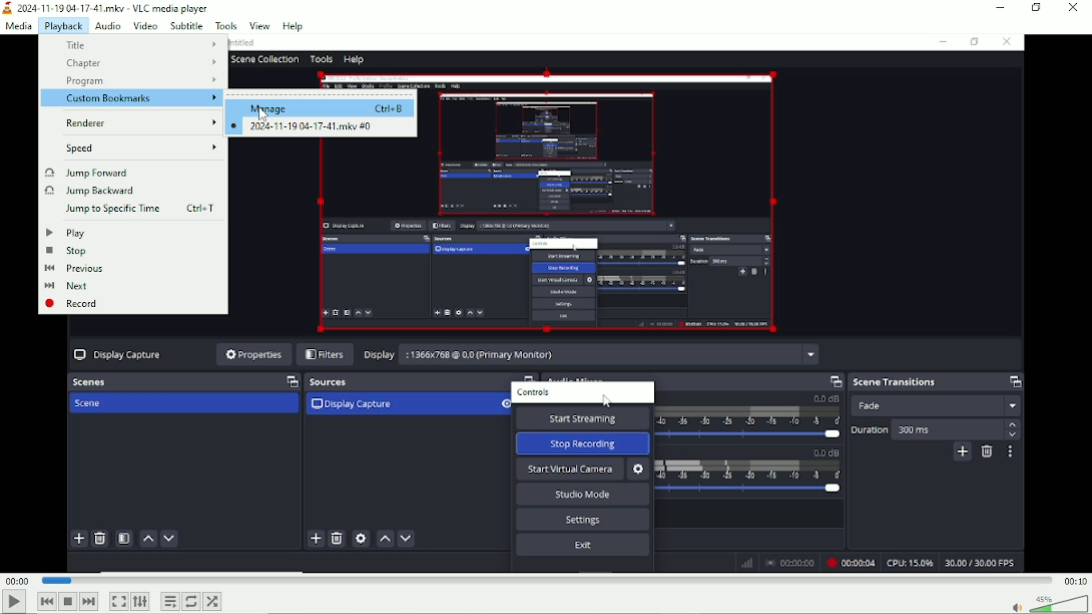  What do you see at coordinates (169, 601) in the screenshot?
I see `Toggle playlist` at bounding box center [169, 601].